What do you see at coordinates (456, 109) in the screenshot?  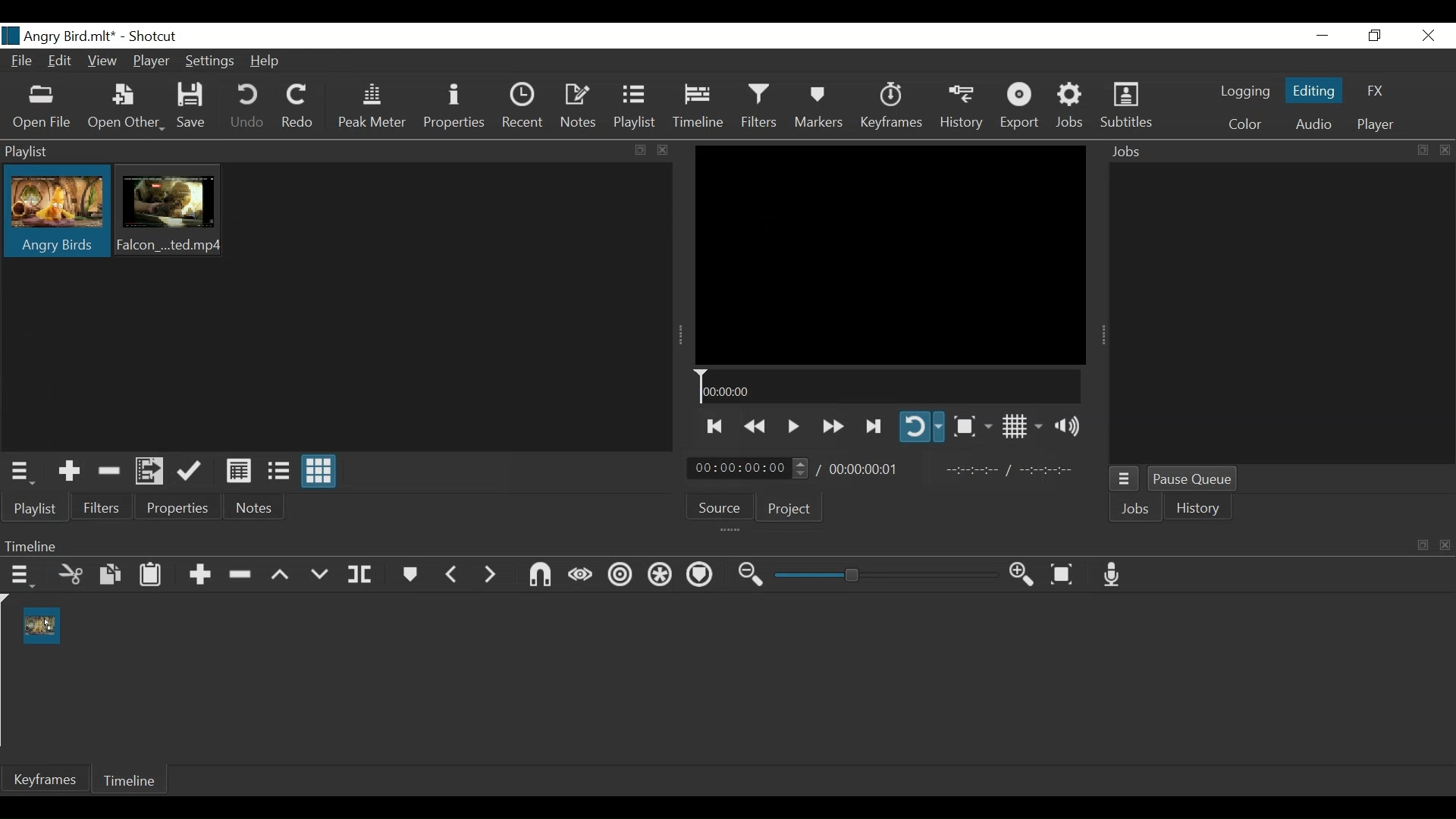 I see `Properties` at bounding box center [456, 109].